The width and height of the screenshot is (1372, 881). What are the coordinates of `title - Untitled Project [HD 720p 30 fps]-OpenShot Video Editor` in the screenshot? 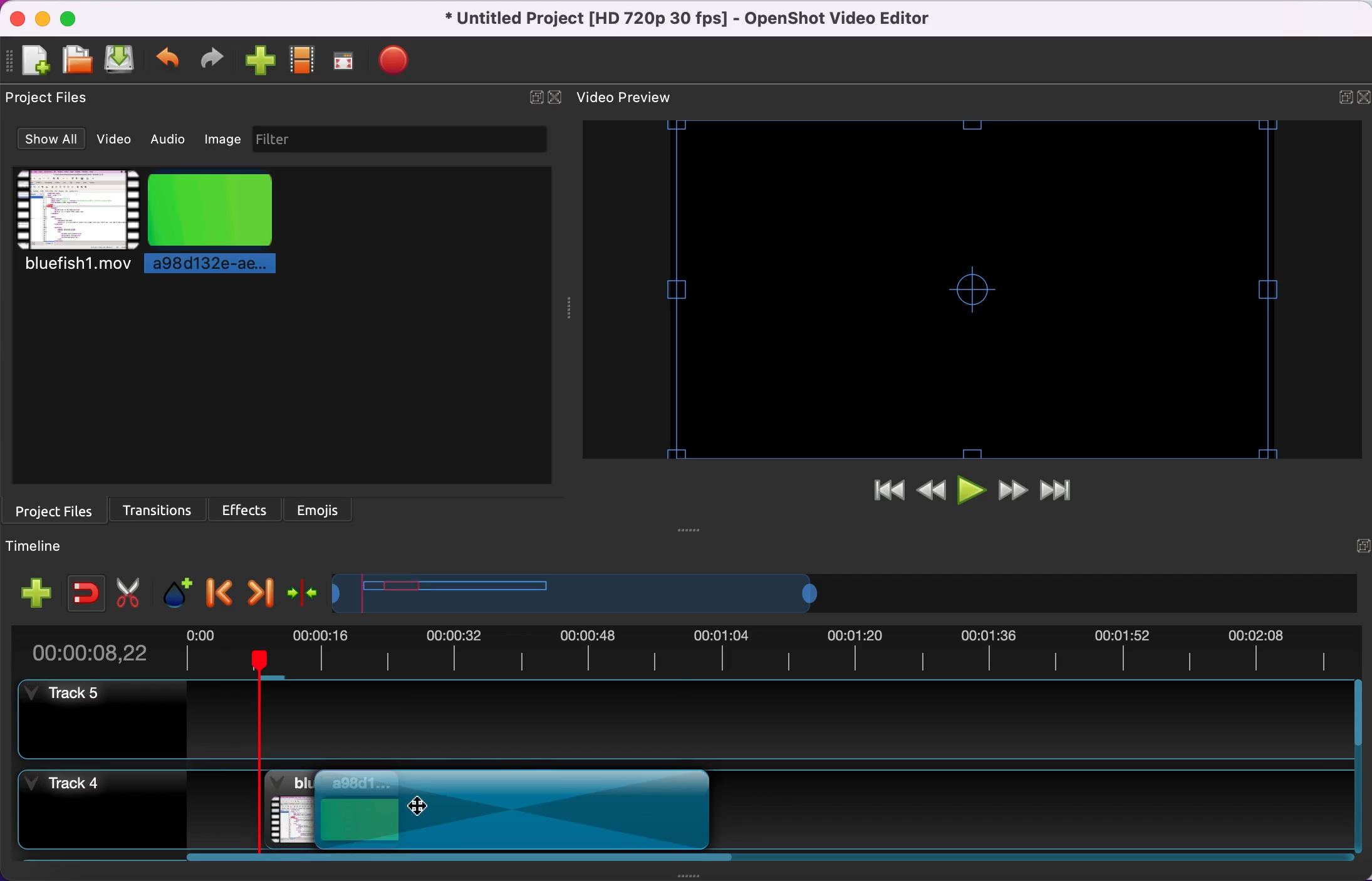 It's located at (707, 18).